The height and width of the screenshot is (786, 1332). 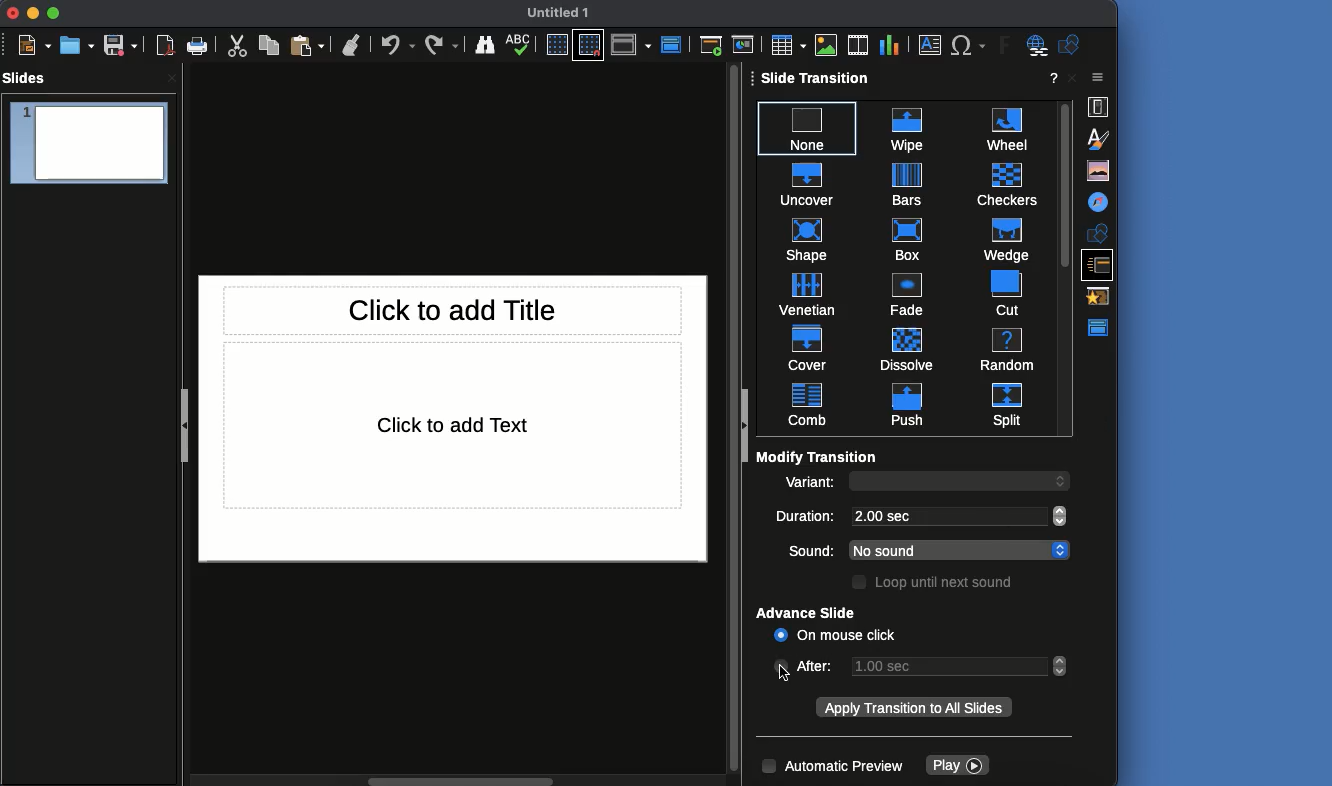 What do you see at coordinates (183, 423) in the screenshot?
I see `Collapse` at bounding box center [183, 423].